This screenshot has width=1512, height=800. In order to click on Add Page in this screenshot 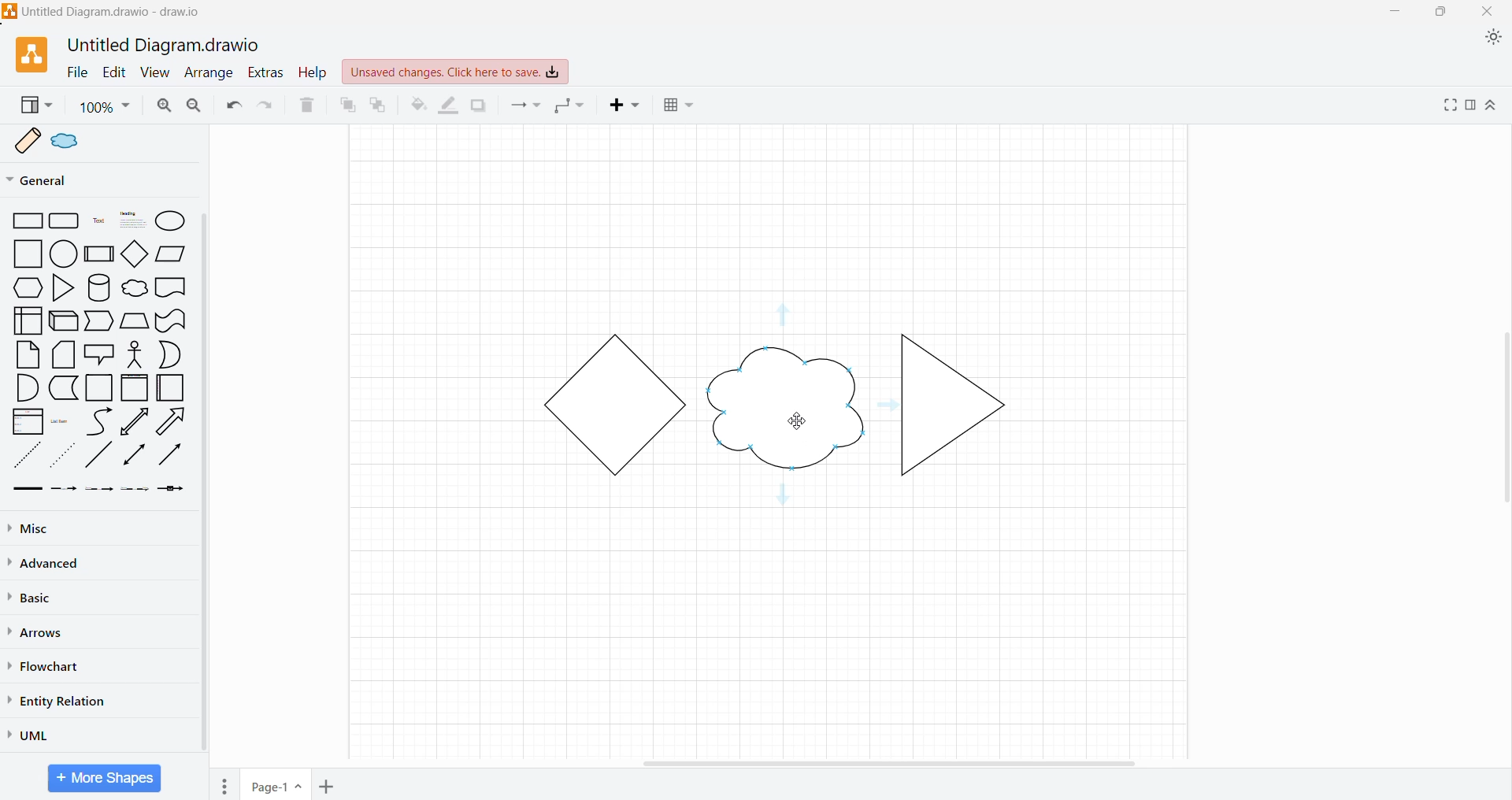, I will do `click(331, 787)`.